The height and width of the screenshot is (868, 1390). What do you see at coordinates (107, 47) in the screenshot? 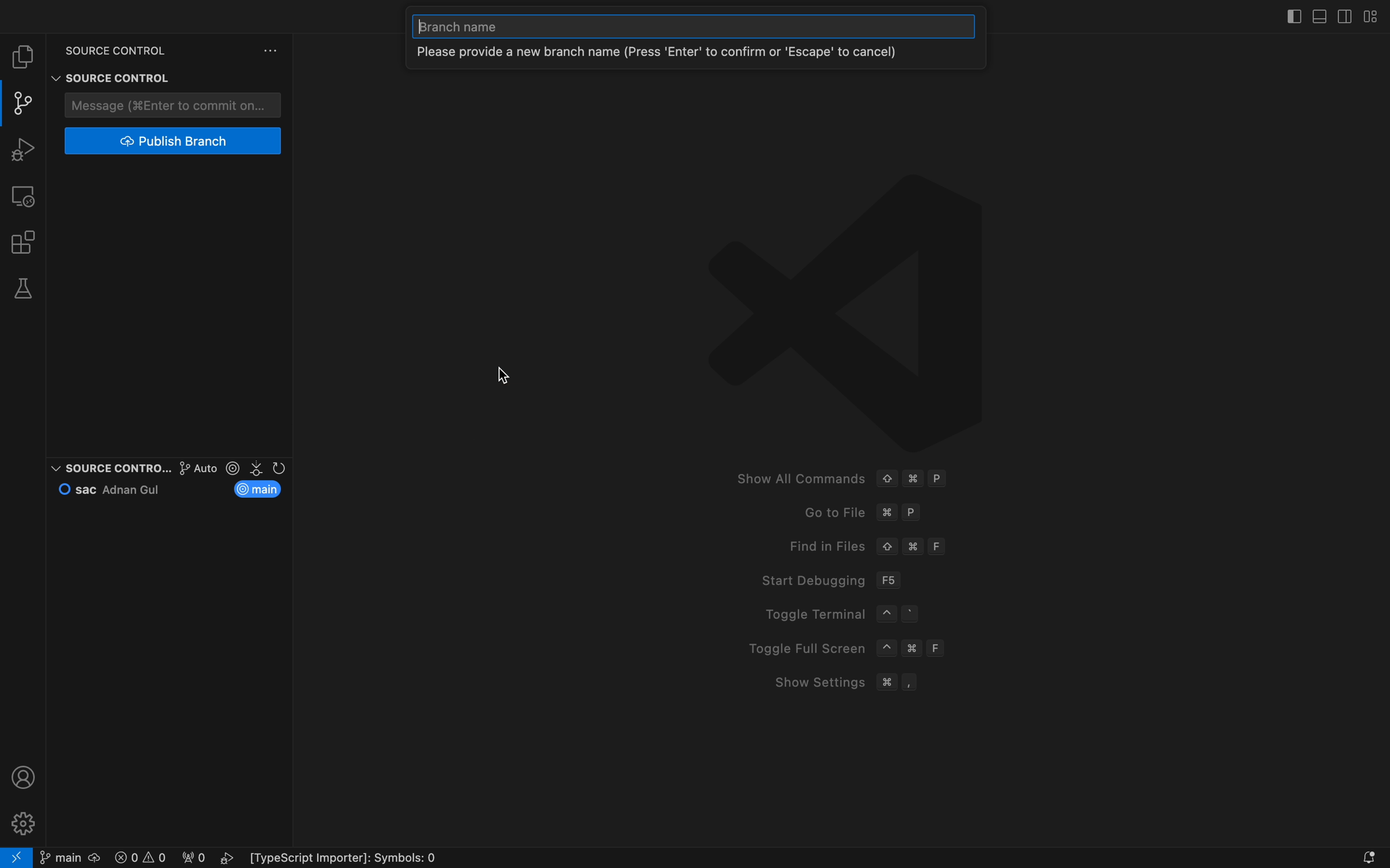
I see `source` at bounding box center [107, 47].